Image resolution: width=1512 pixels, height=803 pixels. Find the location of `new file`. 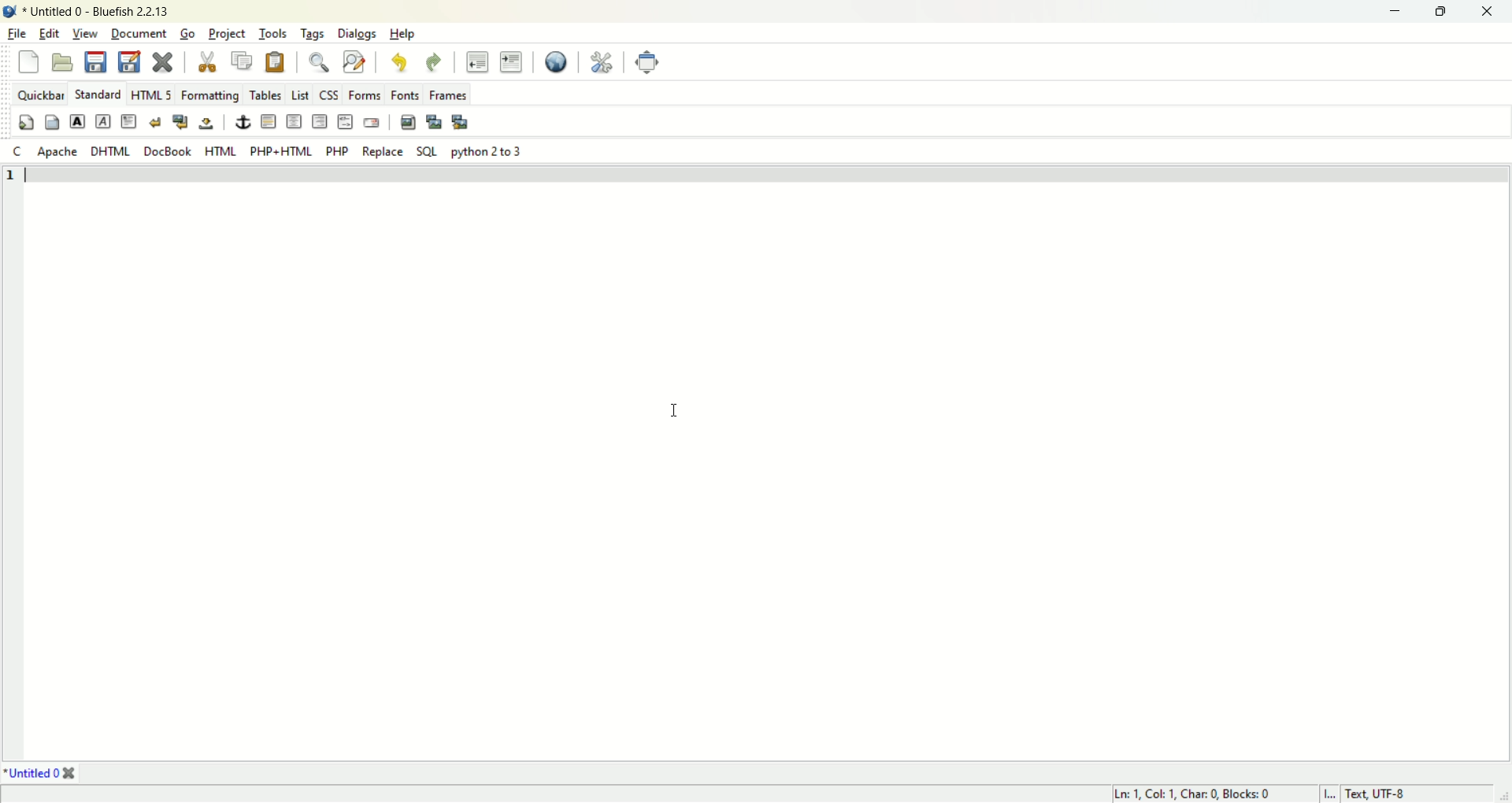

new file is located at coordinates (30, 61).